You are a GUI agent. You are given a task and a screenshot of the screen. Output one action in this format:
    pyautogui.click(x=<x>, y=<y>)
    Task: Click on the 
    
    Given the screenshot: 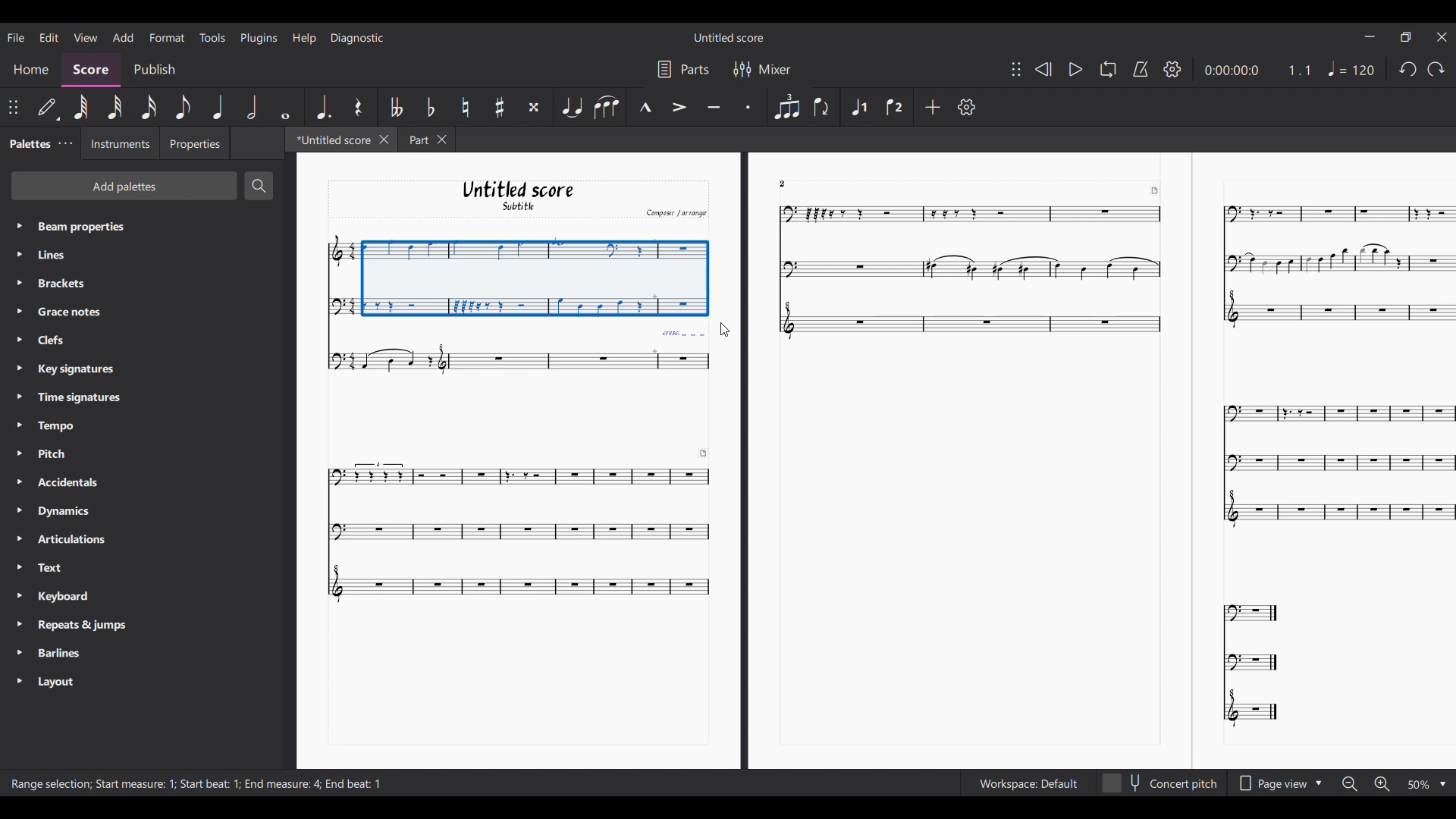 What is the action you would take?
    pyautogui.click(x=21, y=428)
    